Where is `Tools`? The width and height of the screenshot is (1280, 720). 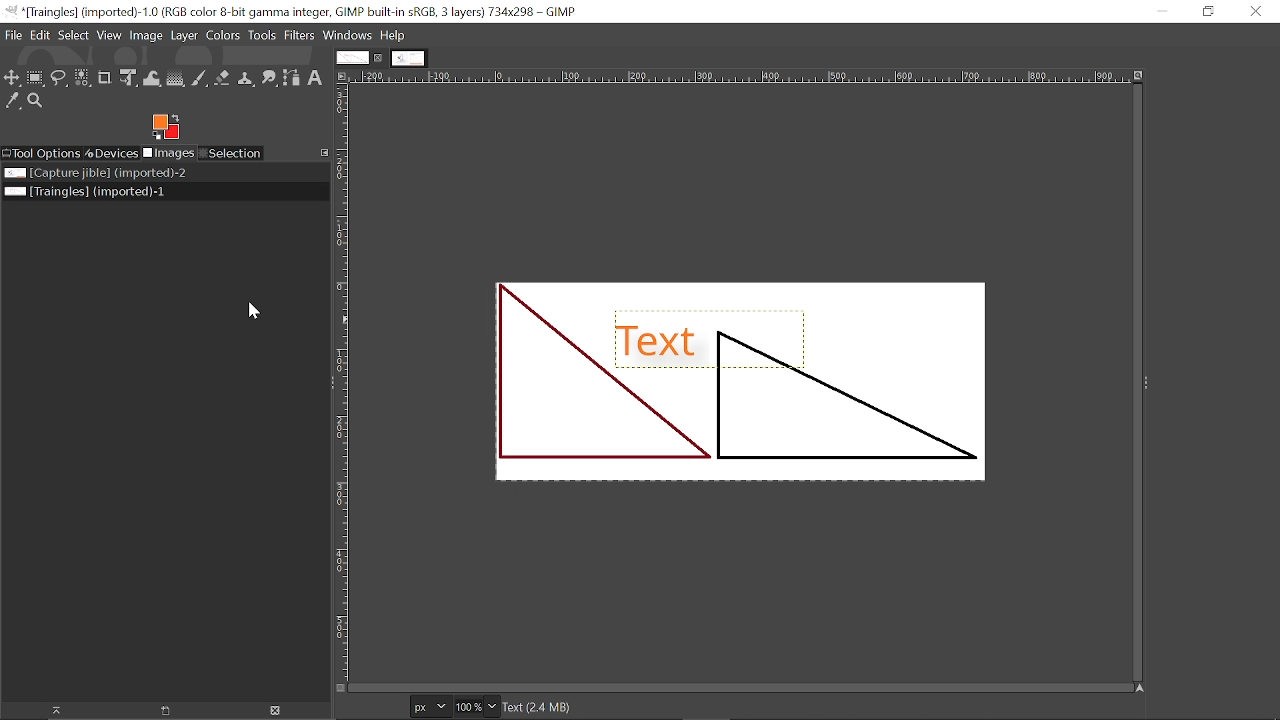
Tools is located at coordinates (262, 37).